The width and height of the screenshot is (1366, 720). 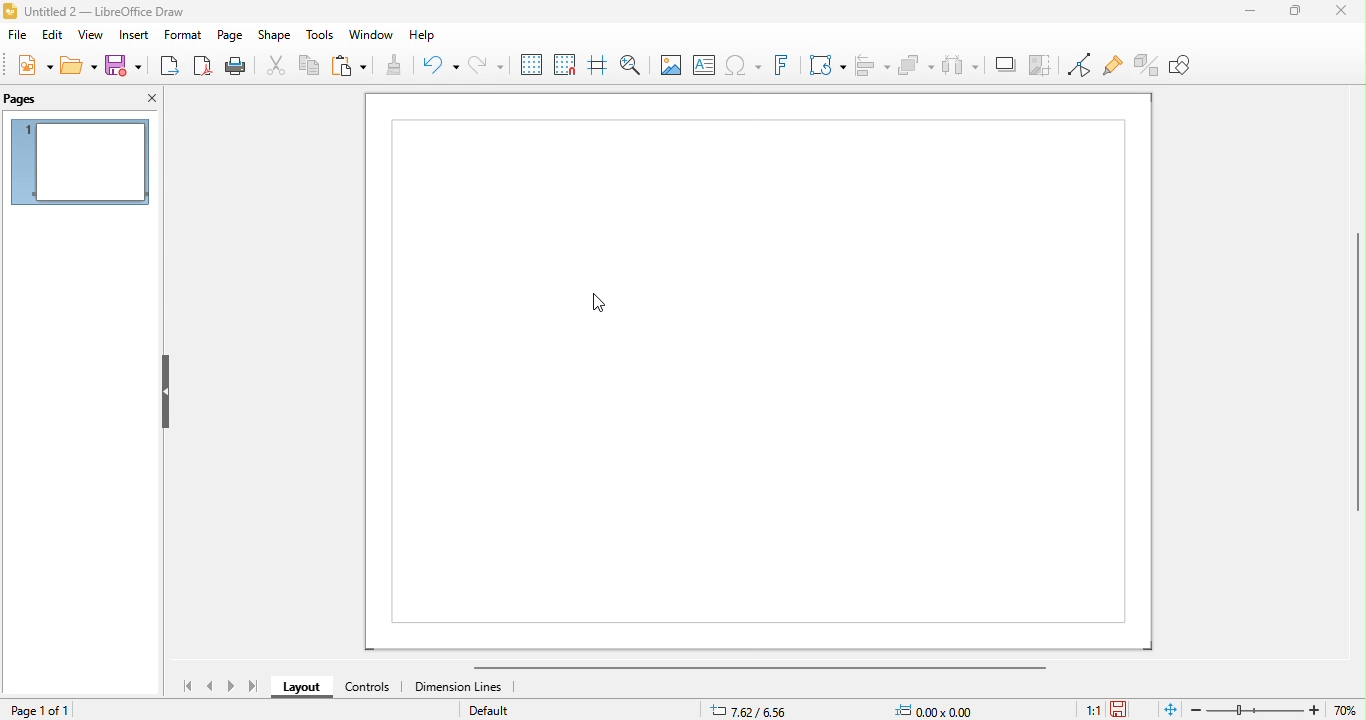 I want to click on crop, so click(x=1039, y=65).